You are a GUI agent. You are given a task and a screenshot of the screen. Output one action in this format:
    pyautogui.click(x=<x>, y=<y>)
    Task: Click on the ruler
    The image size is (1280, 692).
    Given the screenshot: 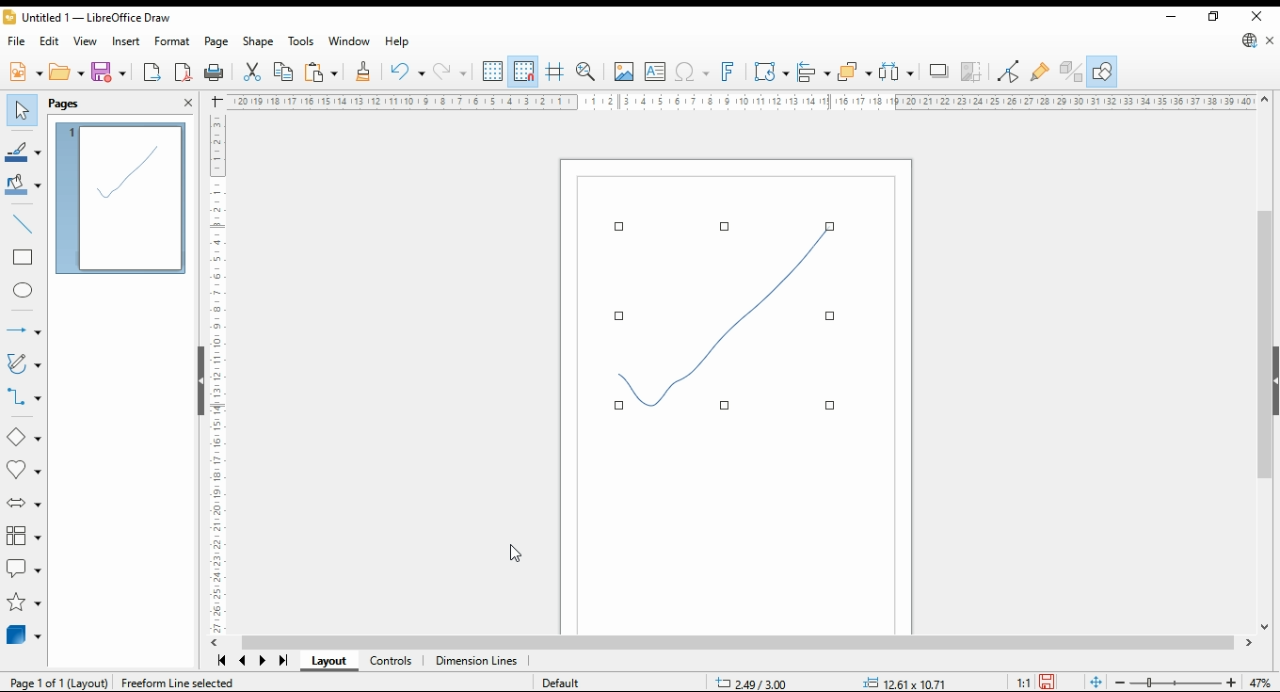 What is the action you would take?
    pyautogui.click(x=739, y=101)
    